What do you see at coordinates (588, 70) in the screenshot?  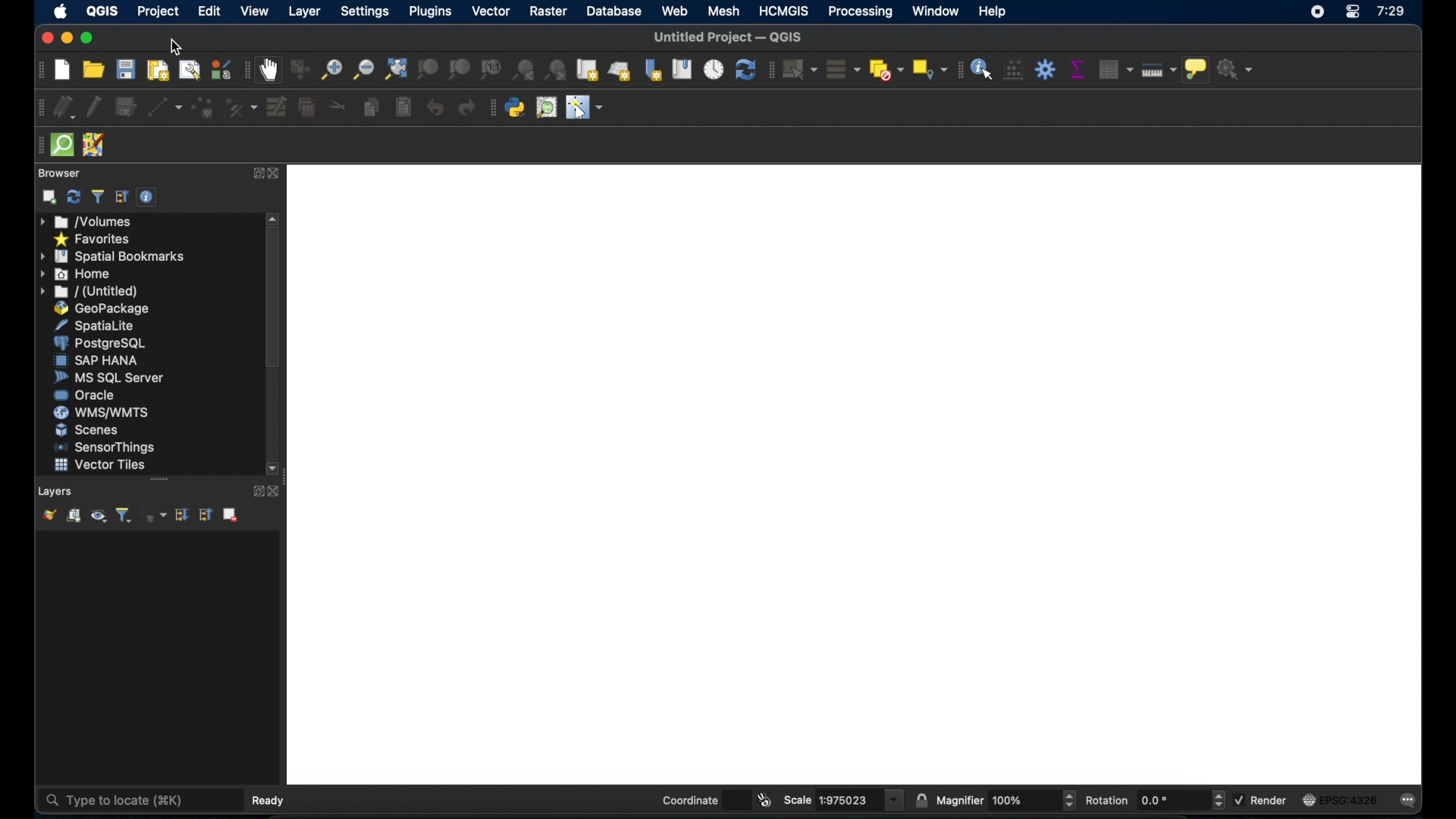 I see `new map view` at bounding box center [588, 70].